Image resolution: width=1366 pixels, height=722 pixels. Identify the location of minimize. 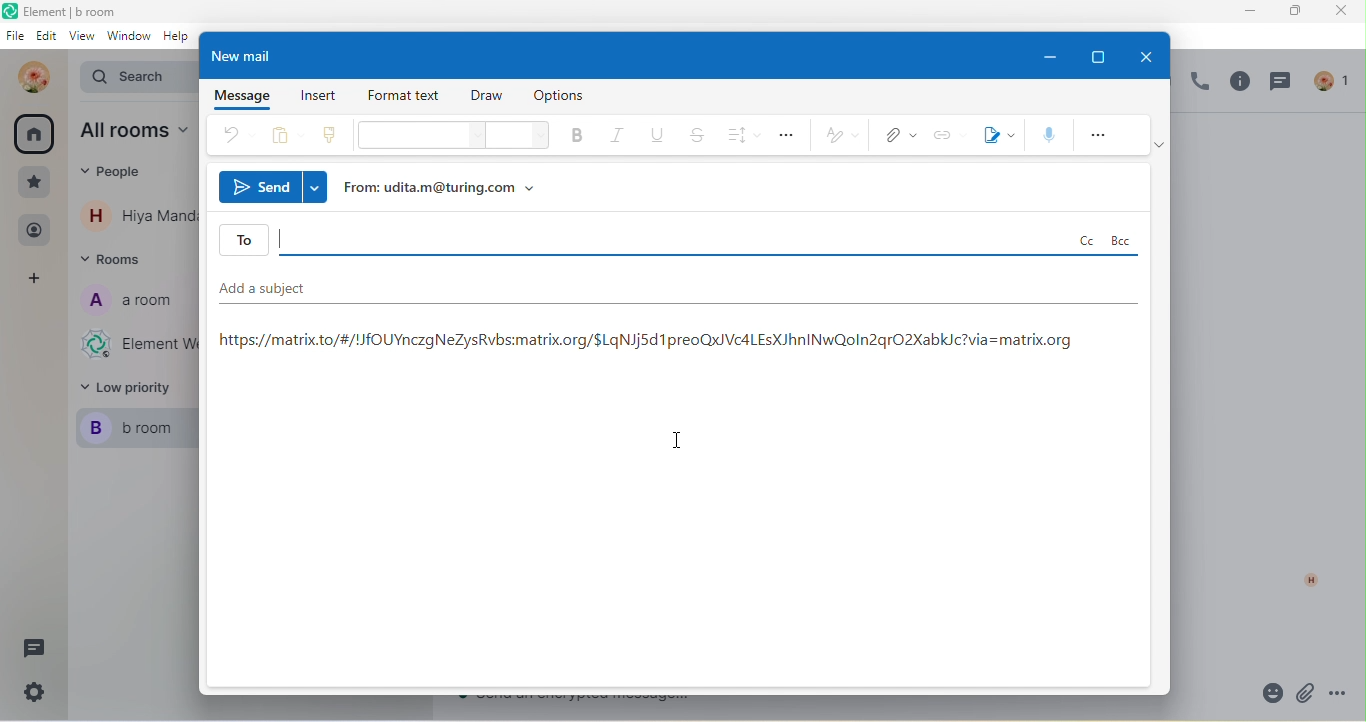
(1249, 12).